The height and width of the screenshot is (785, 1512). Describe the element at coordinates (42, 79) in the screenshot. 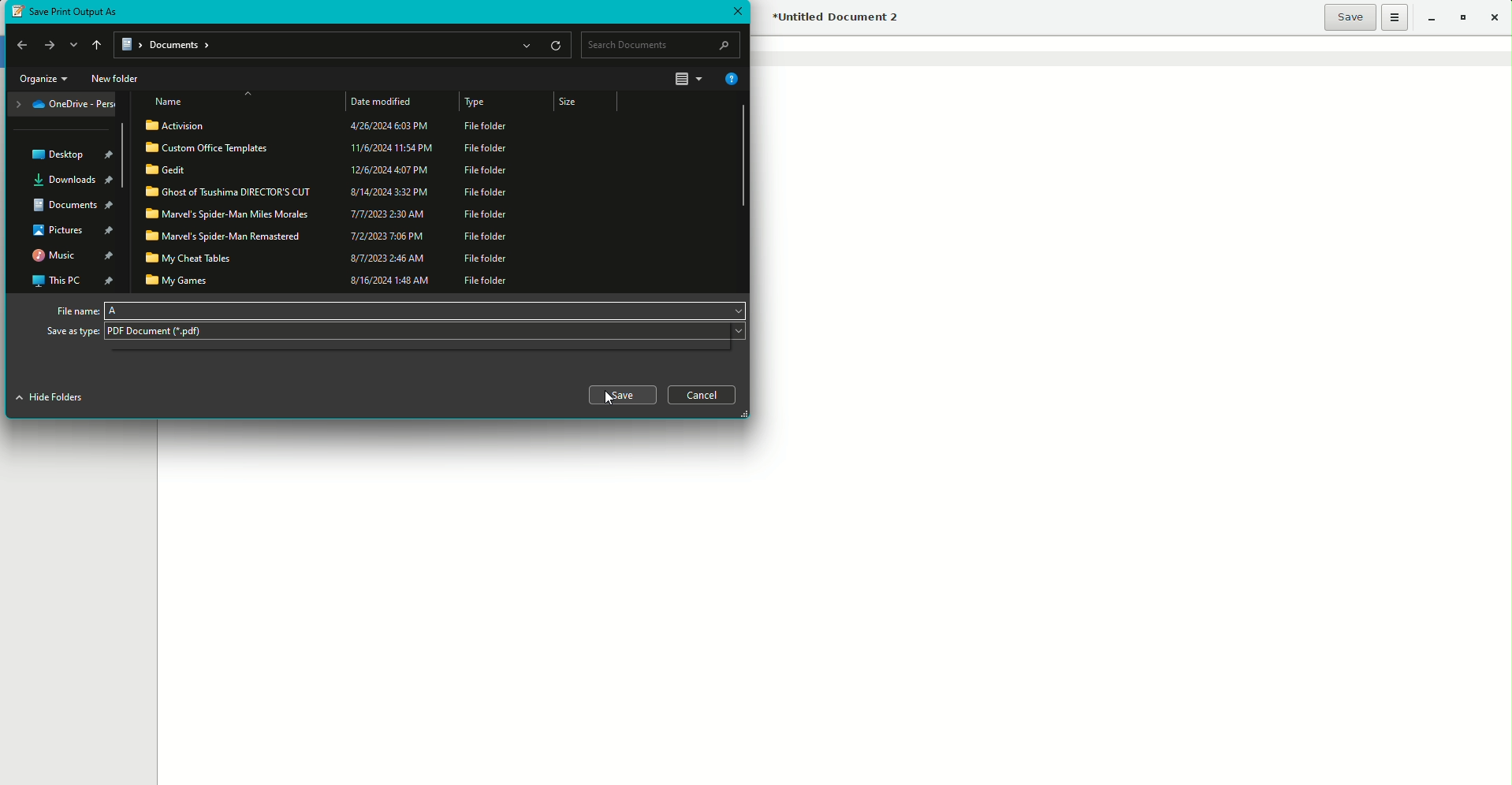

I see `Organise` at that location.